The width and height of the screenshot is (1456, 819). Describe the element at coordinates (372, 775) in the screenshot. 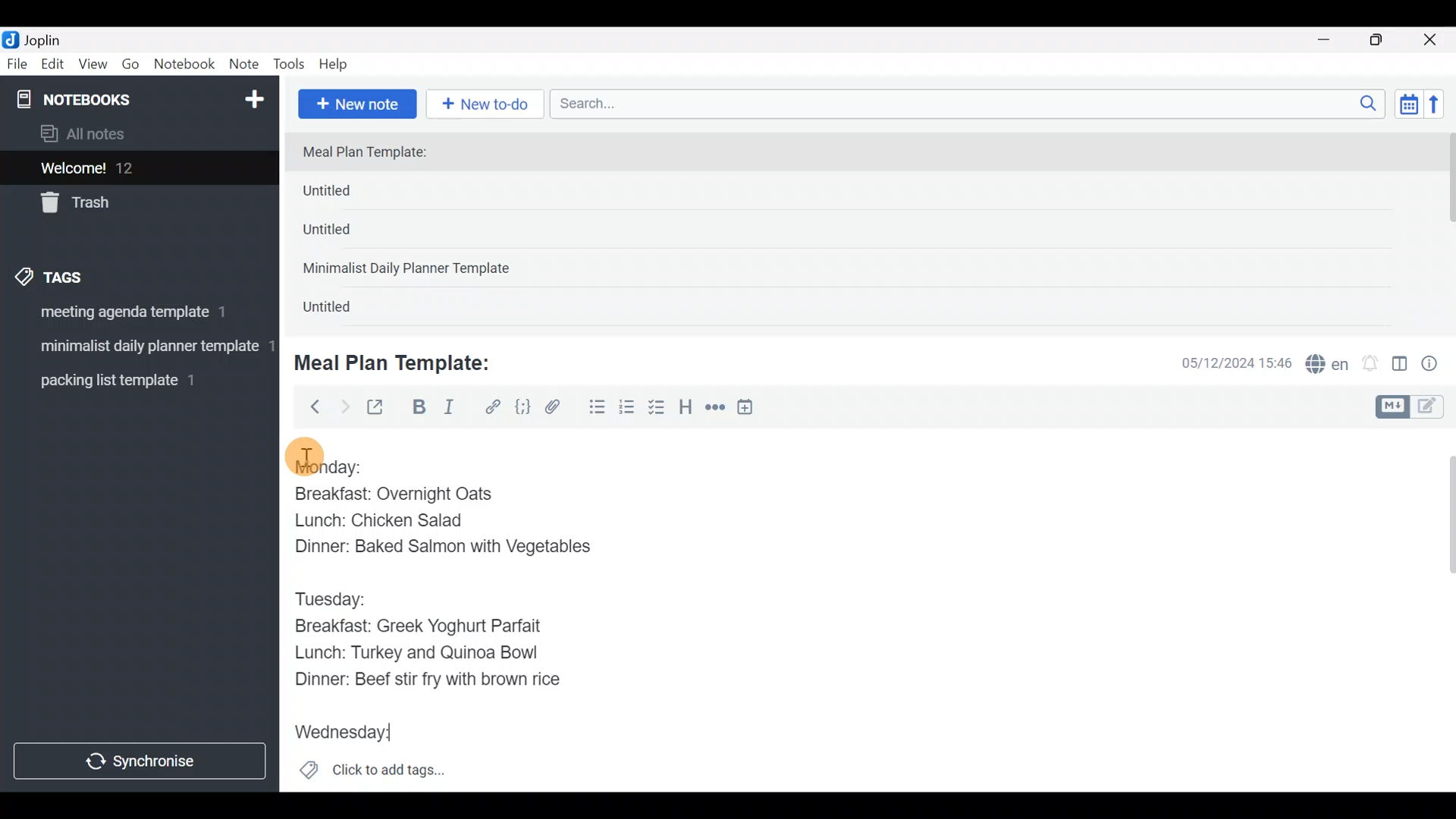

I see `Click to add tags` at that location.